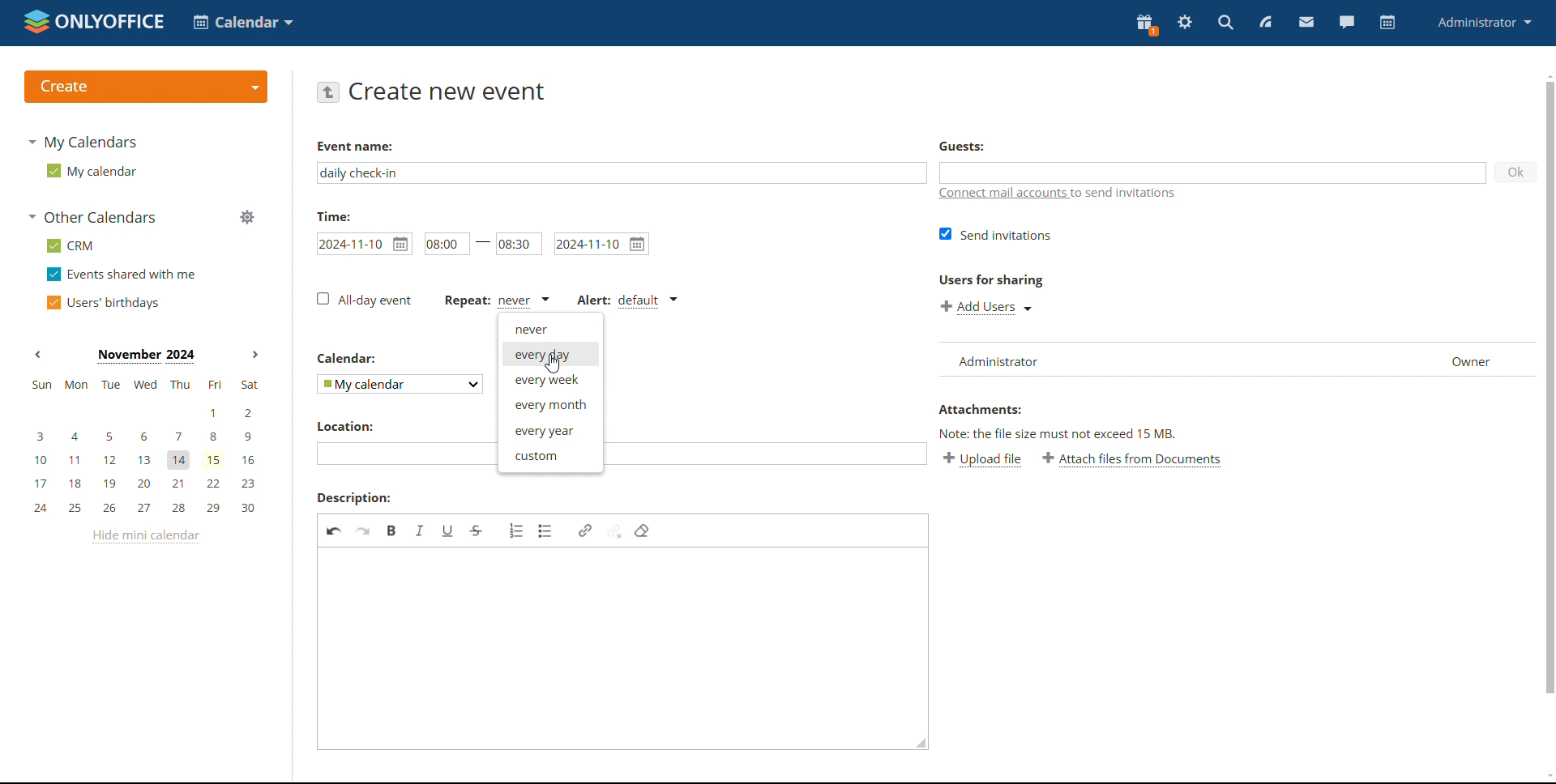 The width and height of the screenshot is (1556, 784). What do you see at coordinates (447, 92) in the screenshot?
I see `create new event` at bounding box center [447, 92].